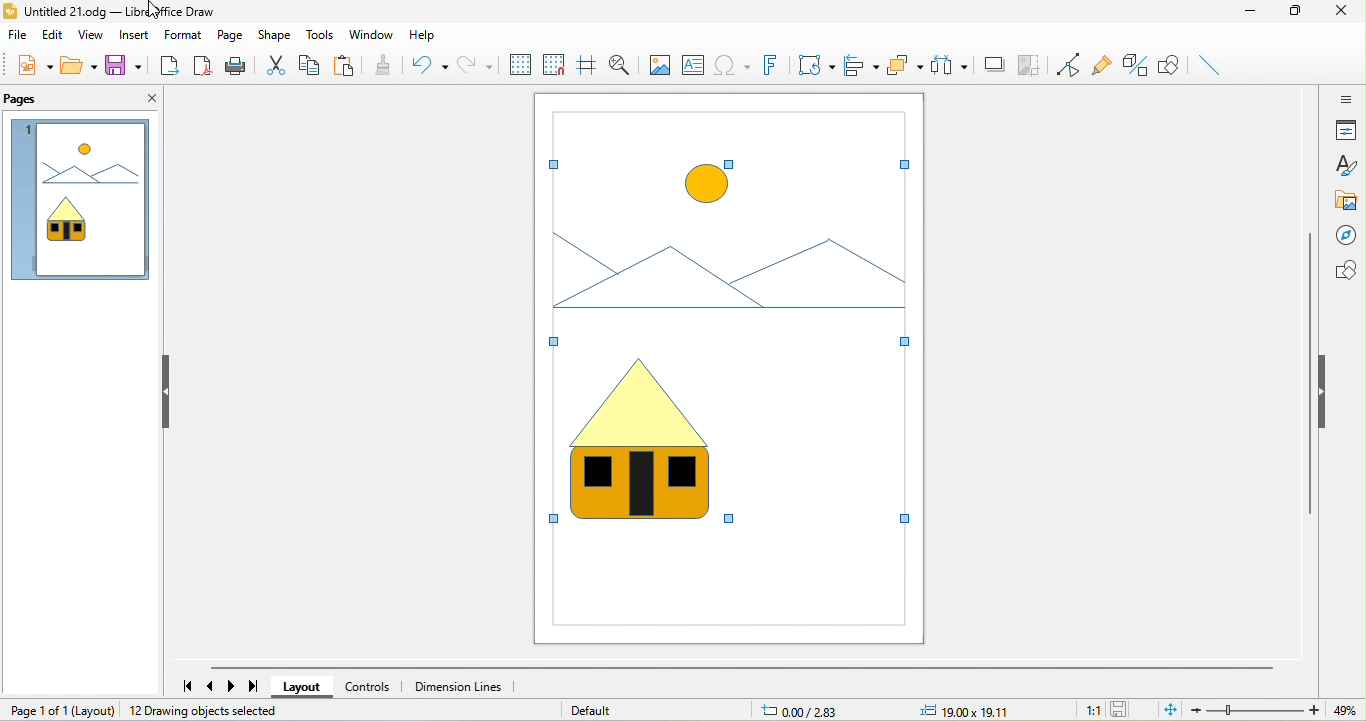  Describe the element at coordinates (593, 710) in the screenshot. I see `default` at that location.